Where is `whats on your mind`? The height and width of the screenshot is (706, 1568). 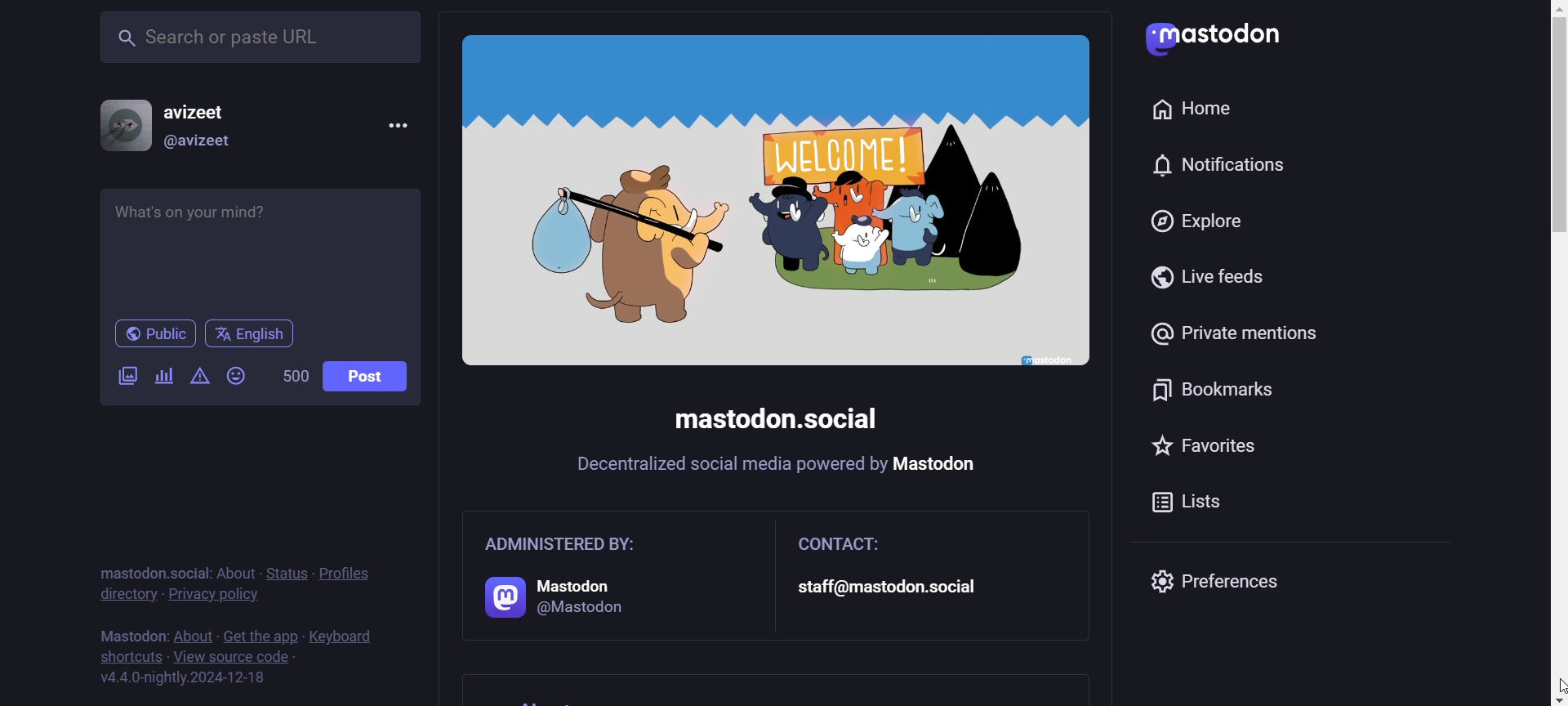
whats on your mind is located at coordinates (262, 249).